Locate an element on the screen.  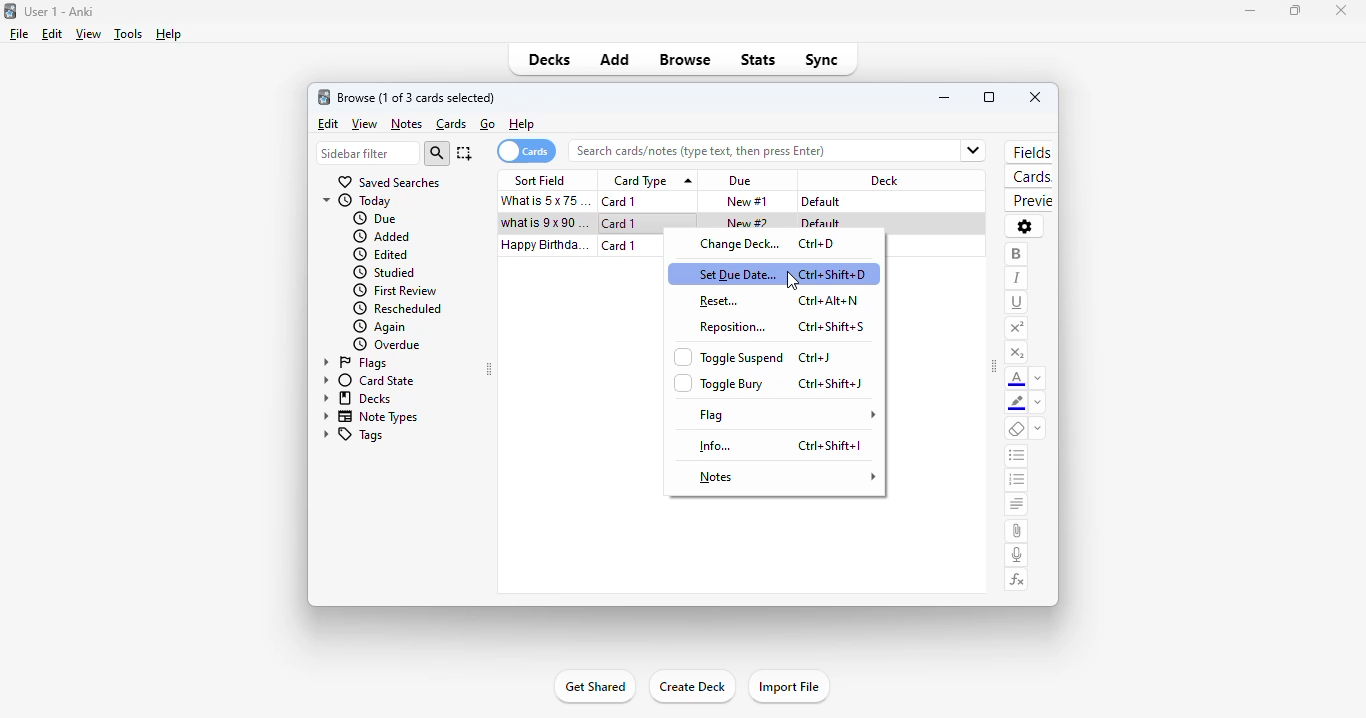
card 1 is located at coordinates (621, 224).